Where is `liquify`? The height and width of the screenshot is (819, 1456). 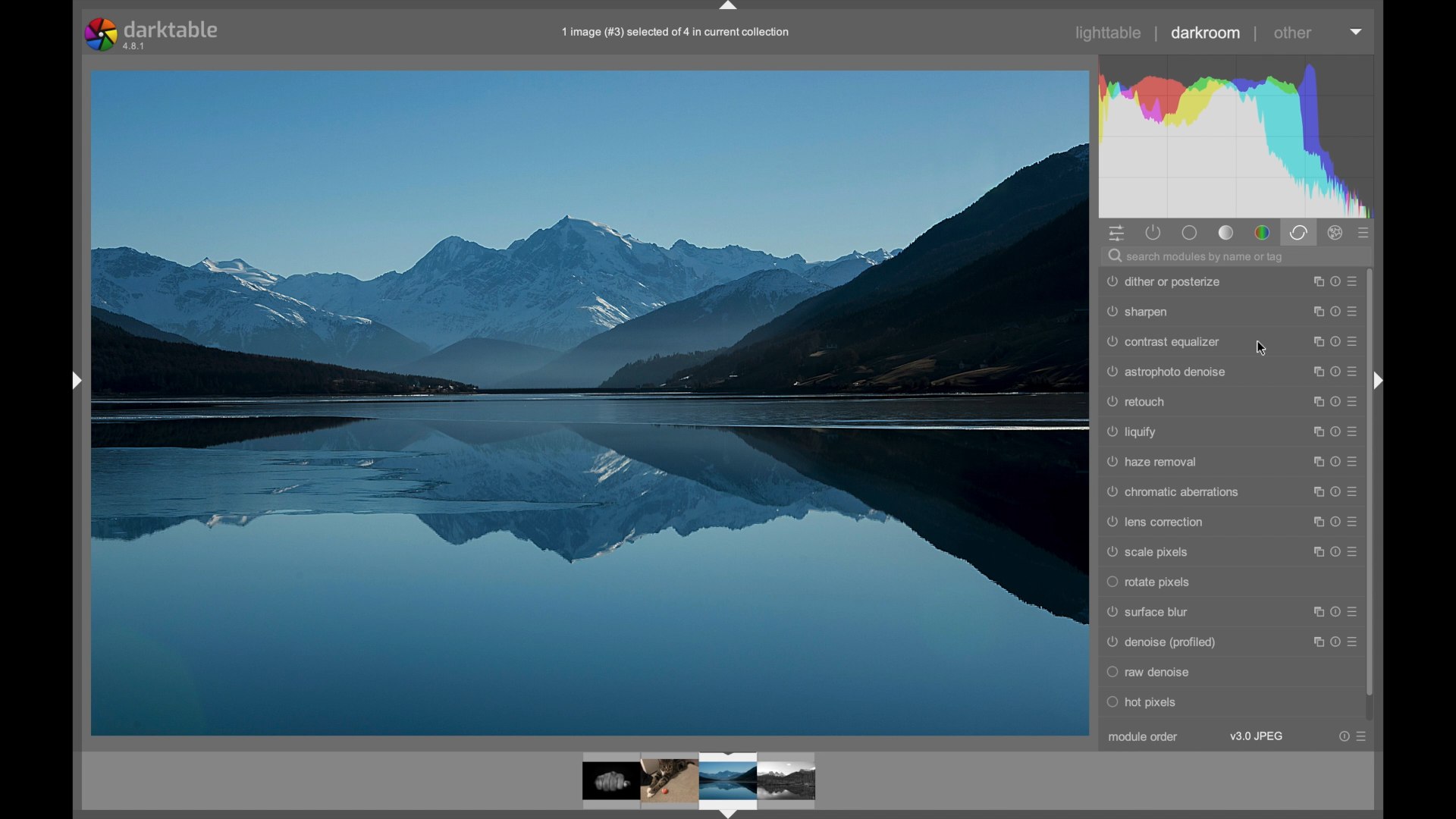
liquify is located at coordinates (1131, 432).